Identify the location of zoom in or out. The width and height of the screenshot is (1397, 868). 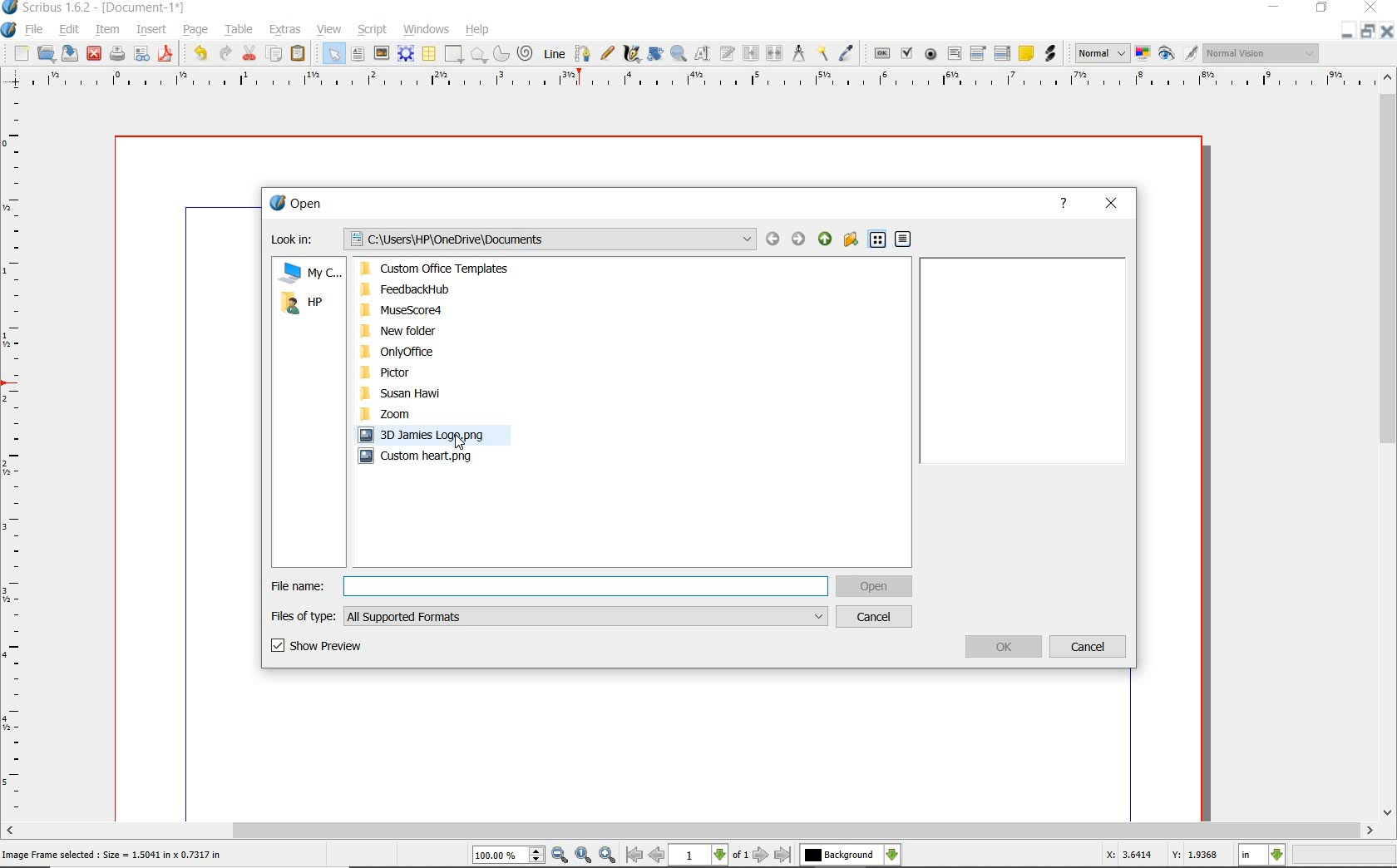
(678, 54).